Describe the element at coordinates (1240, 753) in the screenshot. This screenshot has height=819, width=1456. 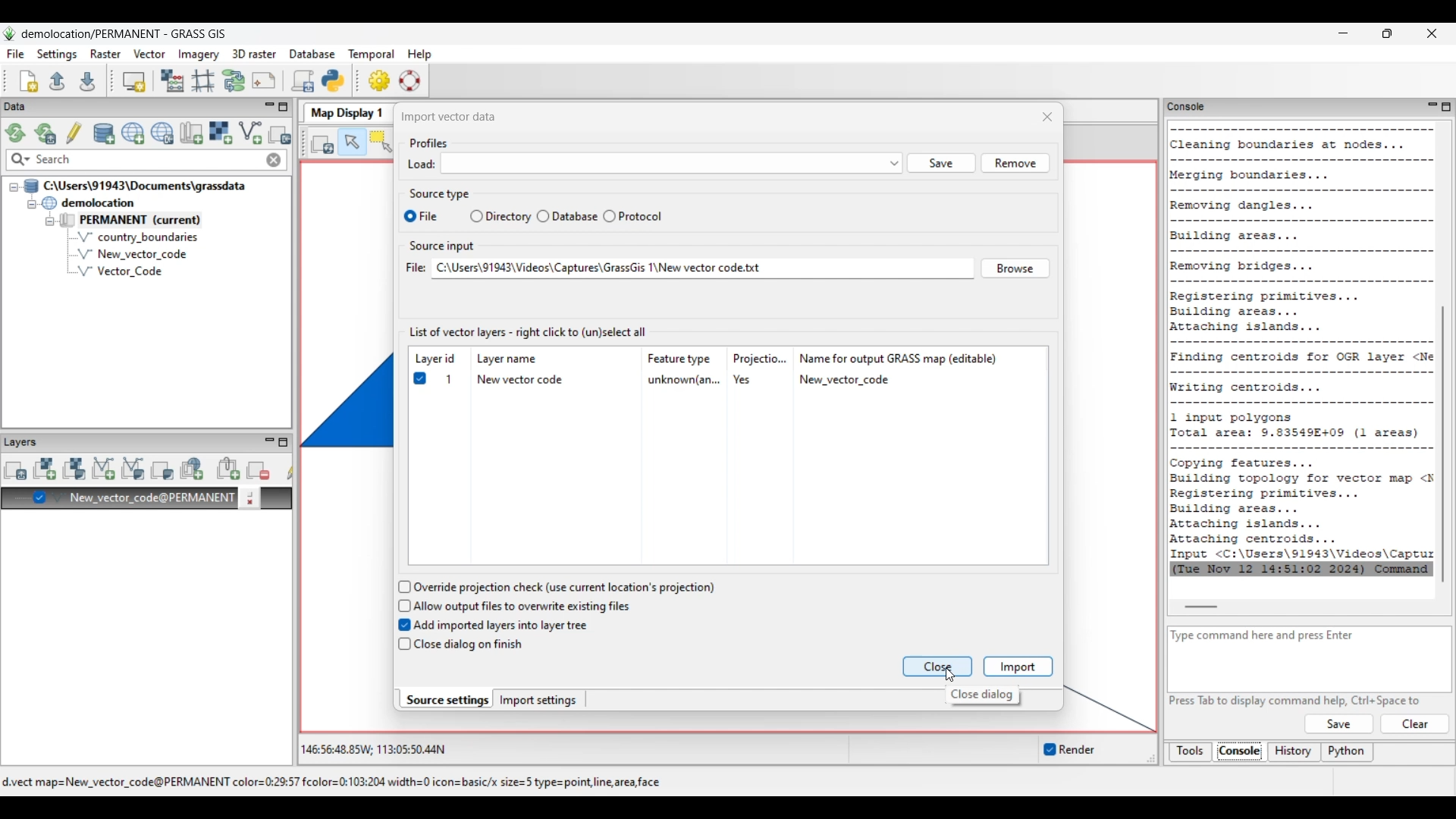
I see `Console` at that location.